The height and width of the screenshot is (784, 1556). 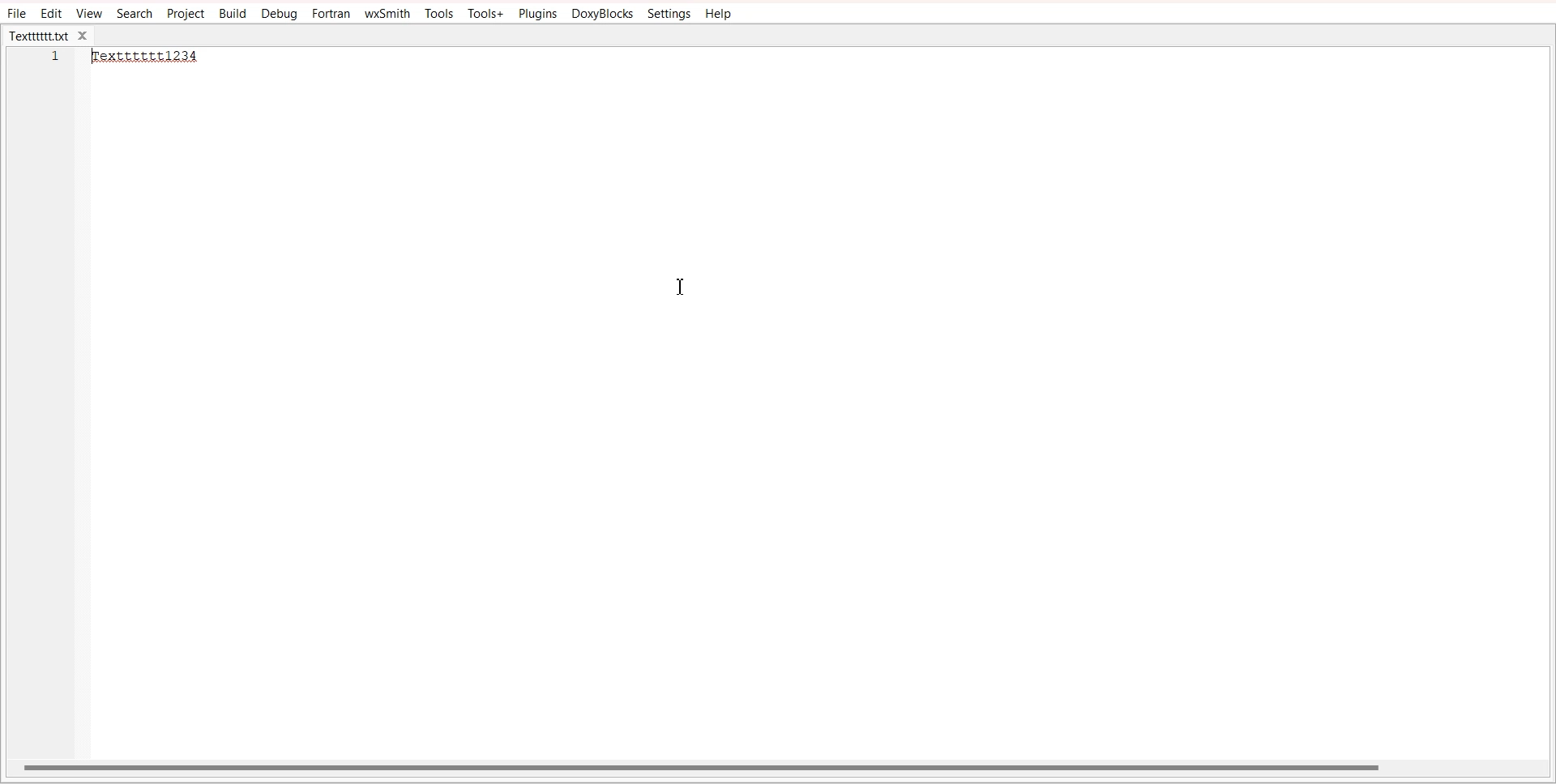 I want to click on View, so click(x=90, y=13).